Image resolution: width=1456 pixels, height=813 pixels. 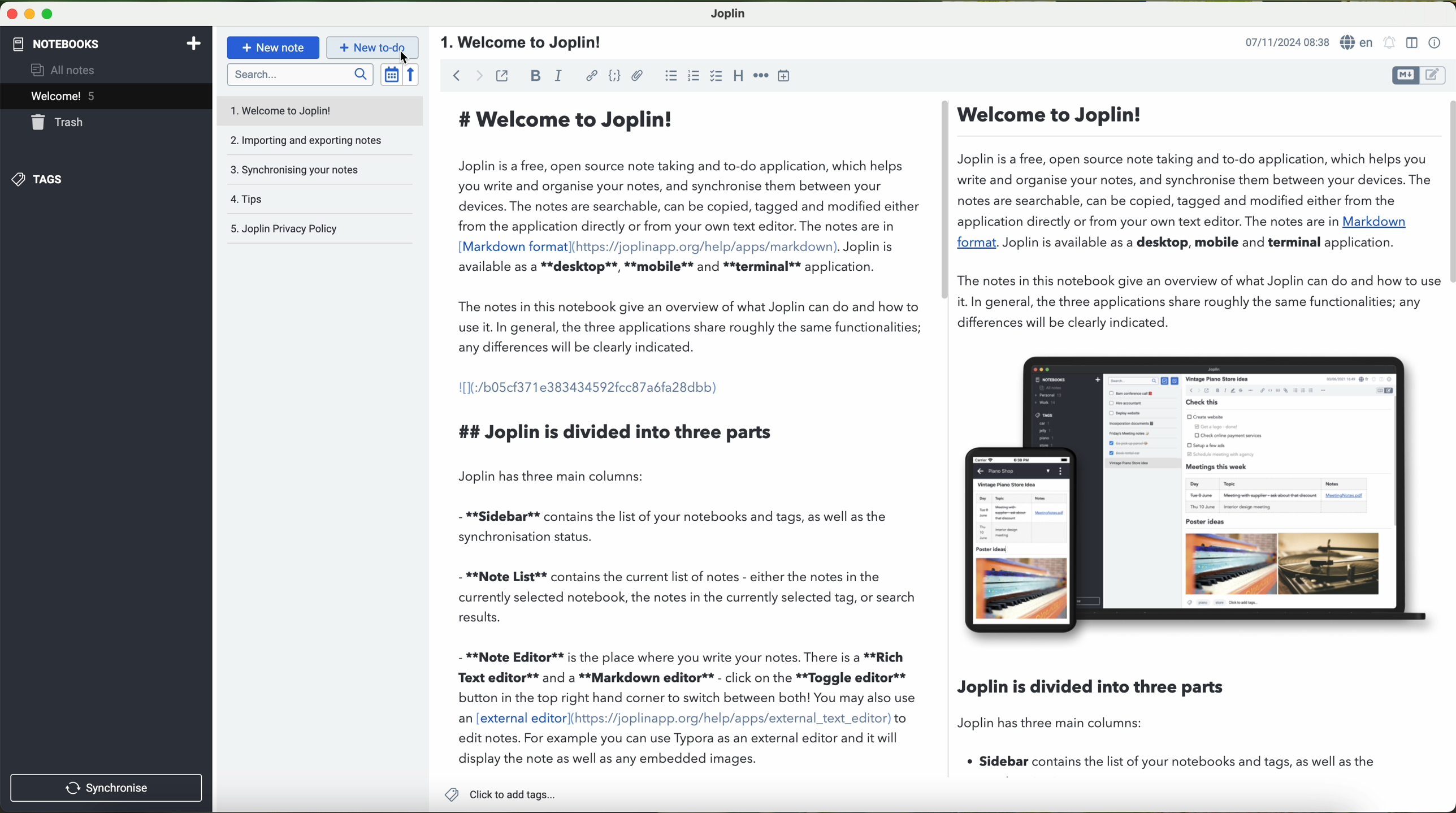 What do you see at coordinates (638, 75) in the screenshot?
I see `attach file` at bounding box center [638, 75].